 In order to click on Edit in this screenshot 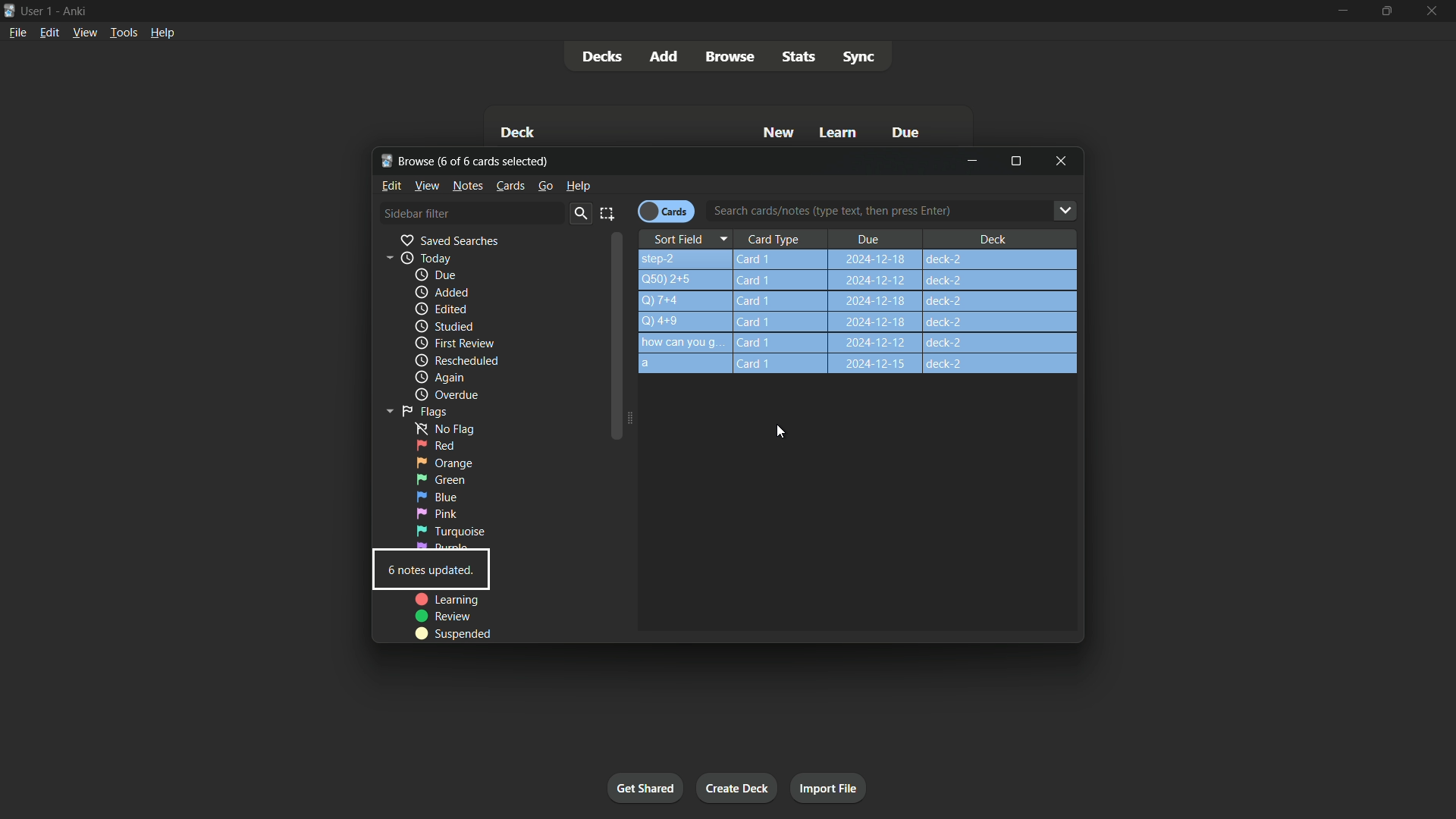, I will do `click(392, 185)`.